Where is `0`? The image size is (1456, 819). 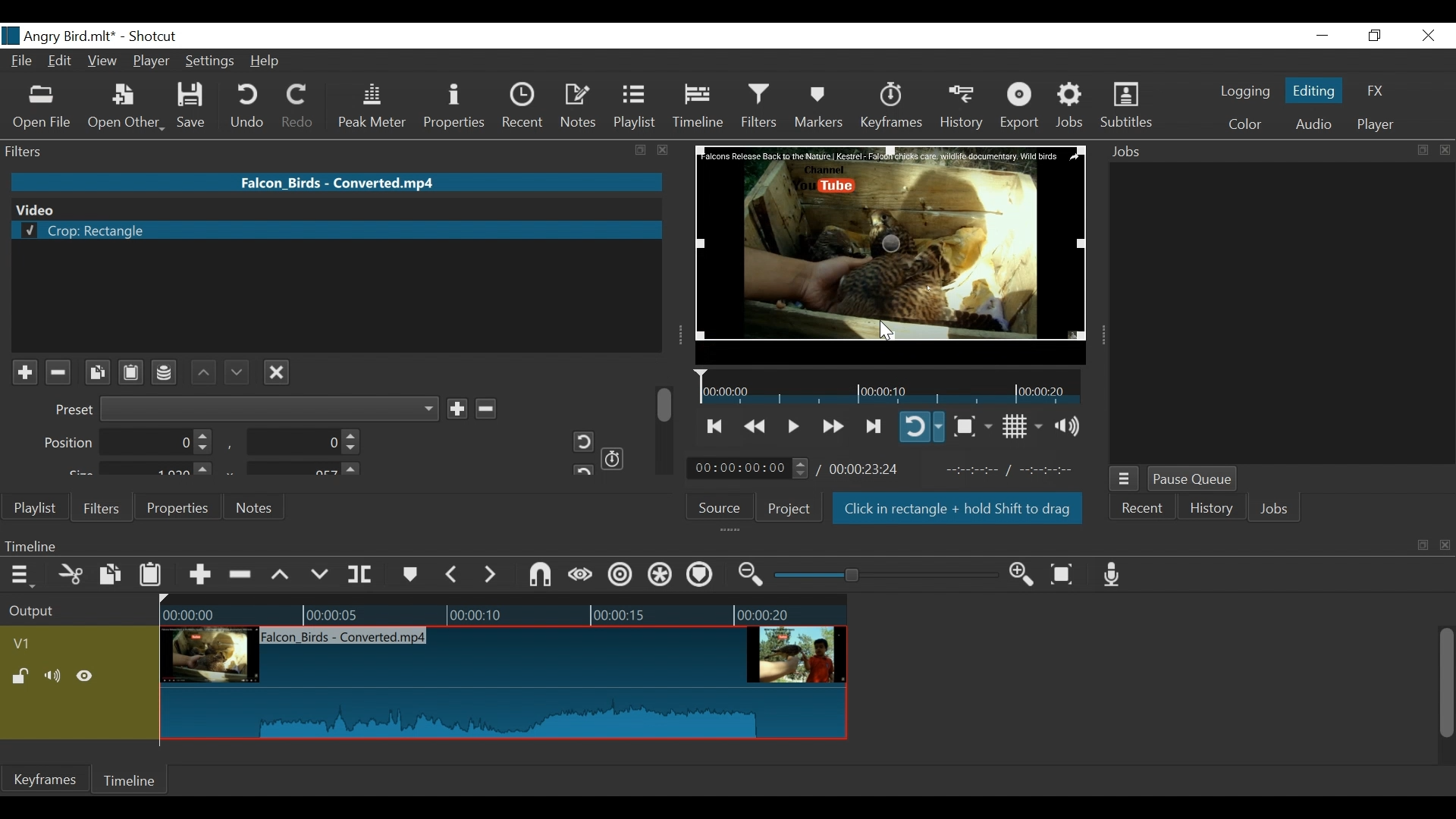 0 is located at coordinates (300, 444).